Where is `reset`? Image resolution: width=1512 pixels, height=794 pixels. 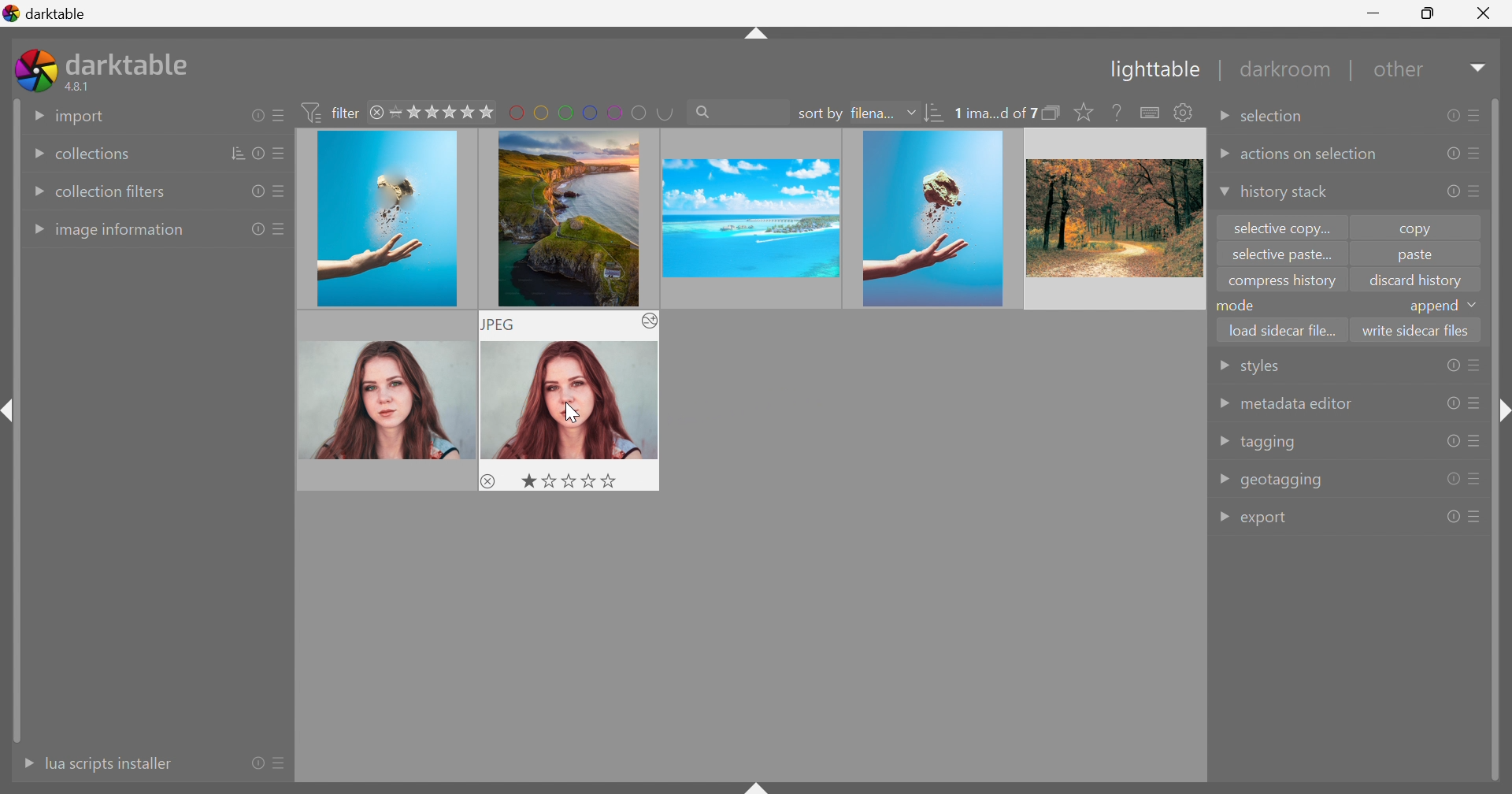 reset is located at coordinates (1449, 153).